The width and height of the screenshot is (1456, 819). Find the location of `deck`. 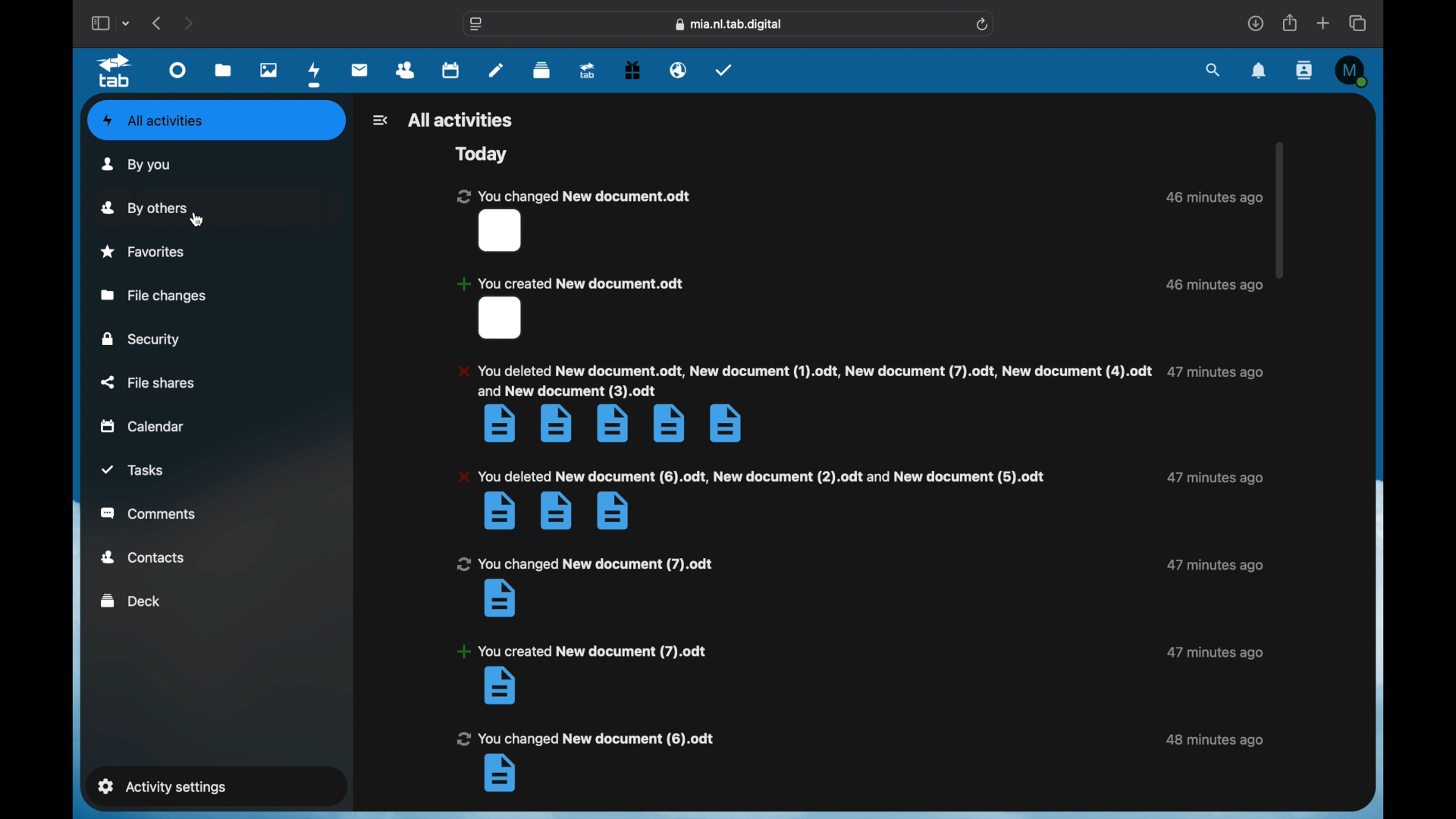

deck is located at coordinates (131, 600).